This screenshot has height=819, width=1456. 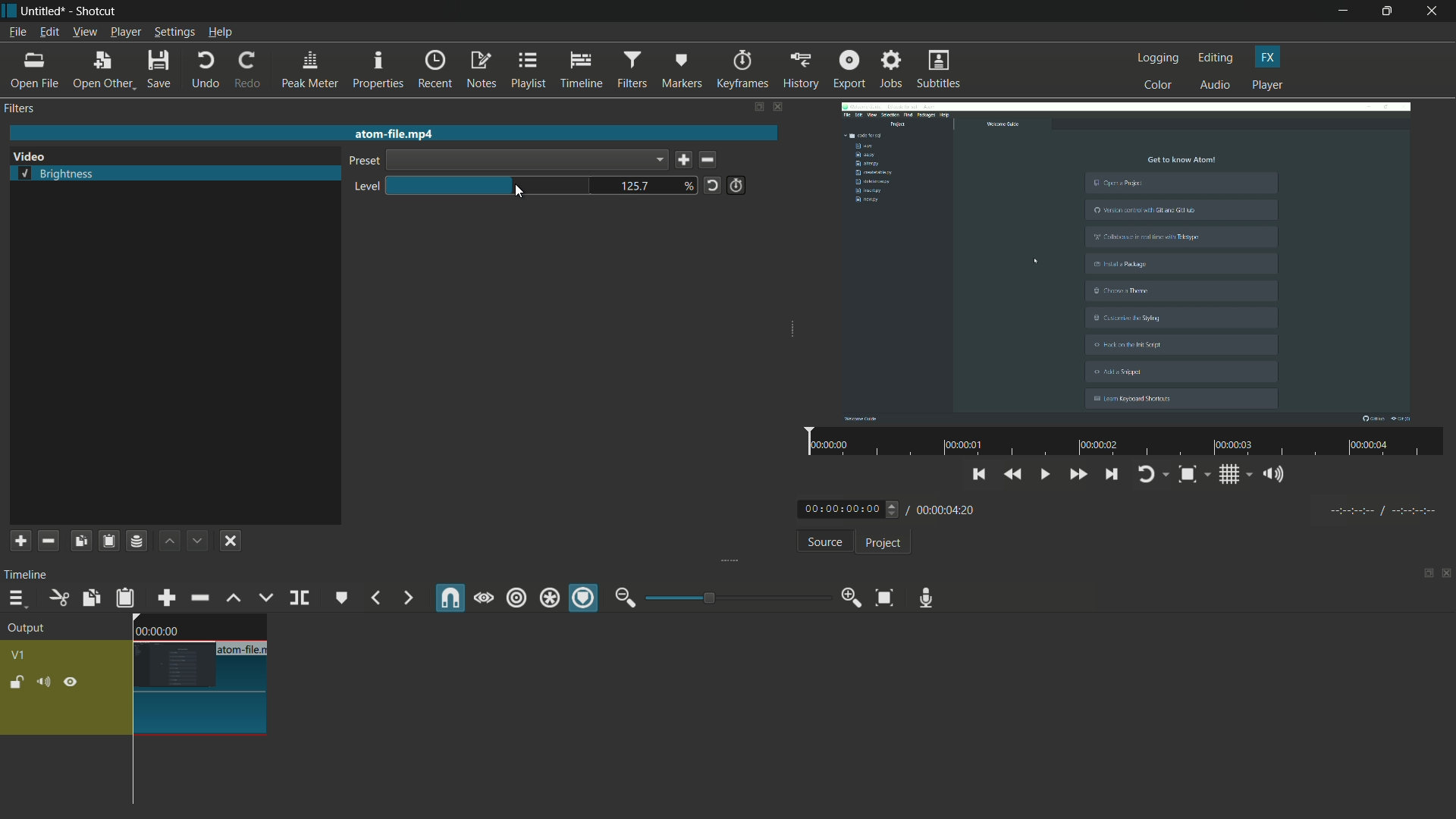 What do you see at coordinates (1343, 11) in the screenshot?
I see `minimize` at bounding box center [1343, 11].